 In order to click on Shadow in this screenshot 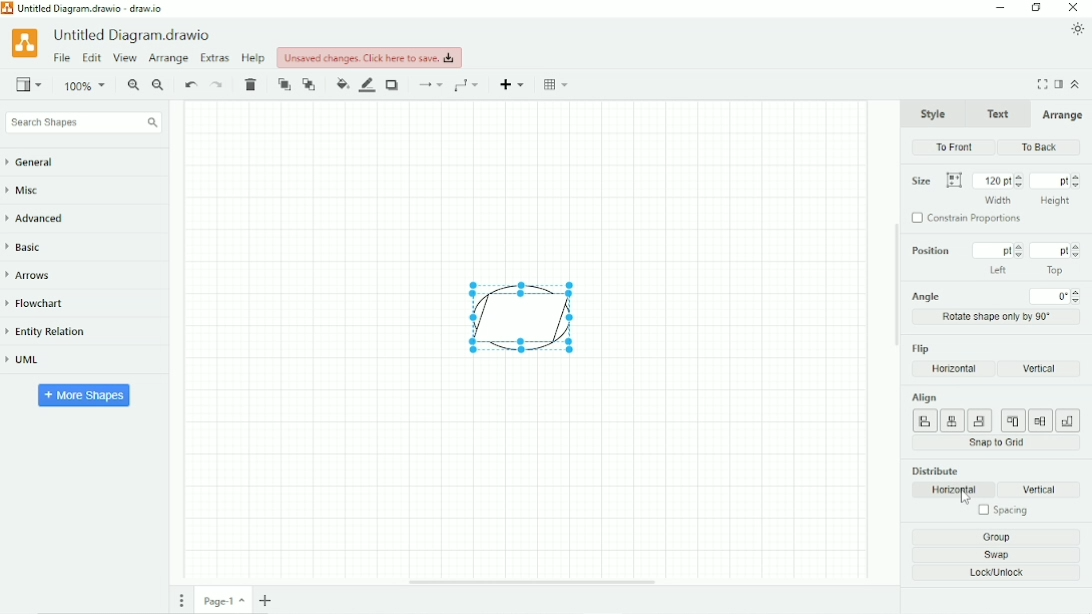, I will do `click(394, 85)`.